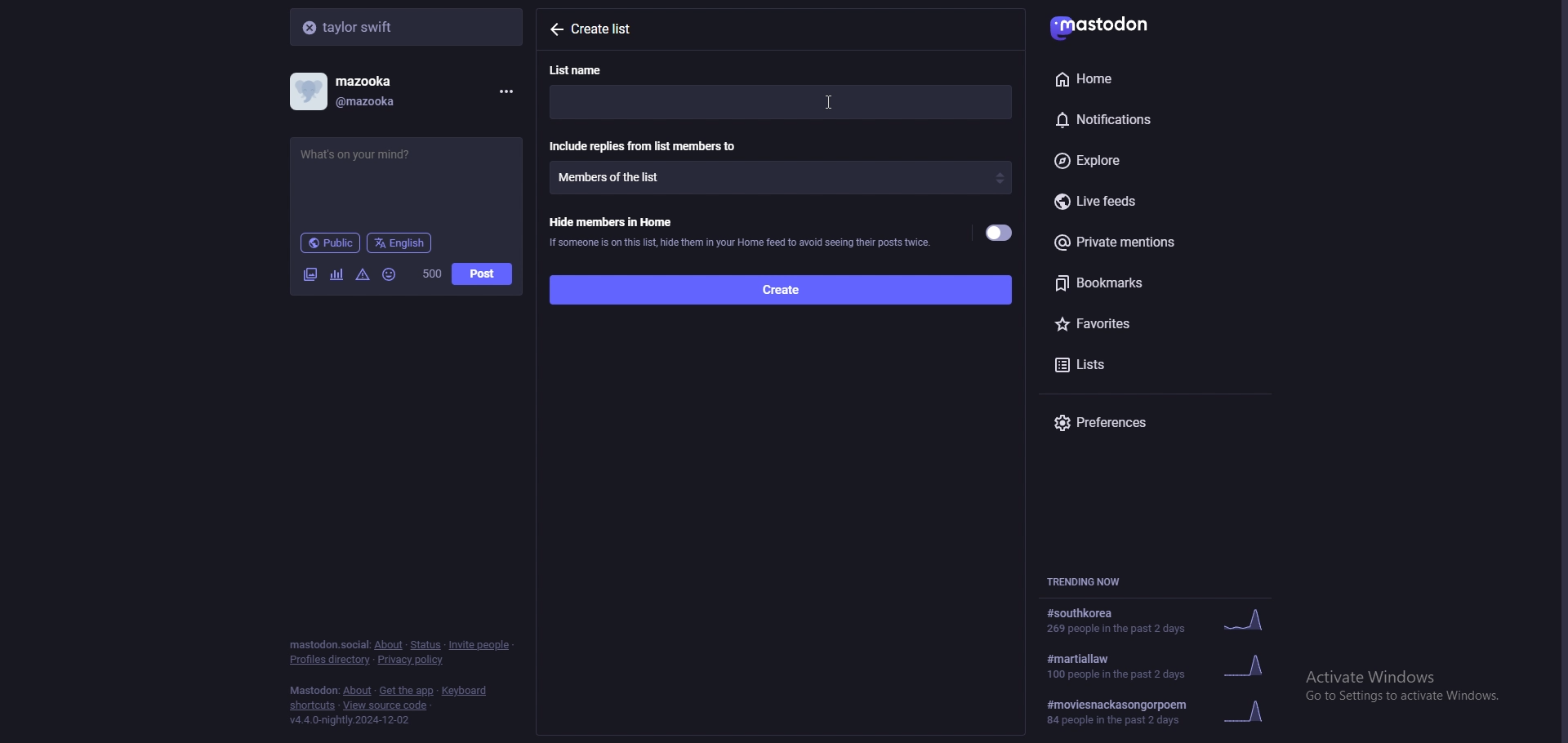 This screenshot has height=743, width=1568. Describe the element at coordinates (412, 661) in the screenshot. I see `privacy policy` at that location.